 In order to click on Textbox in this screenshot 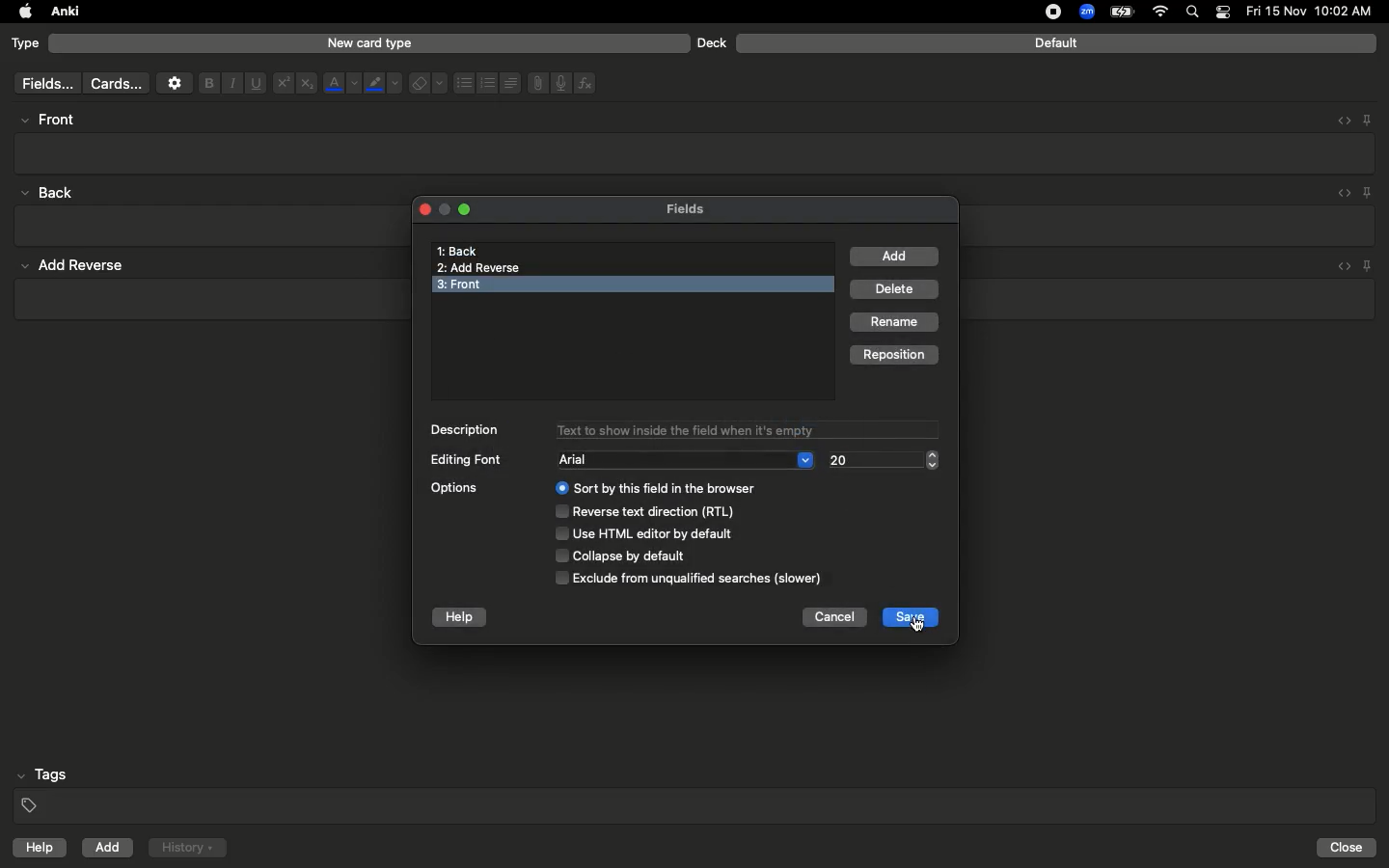, I will do `click(696, 152)`.